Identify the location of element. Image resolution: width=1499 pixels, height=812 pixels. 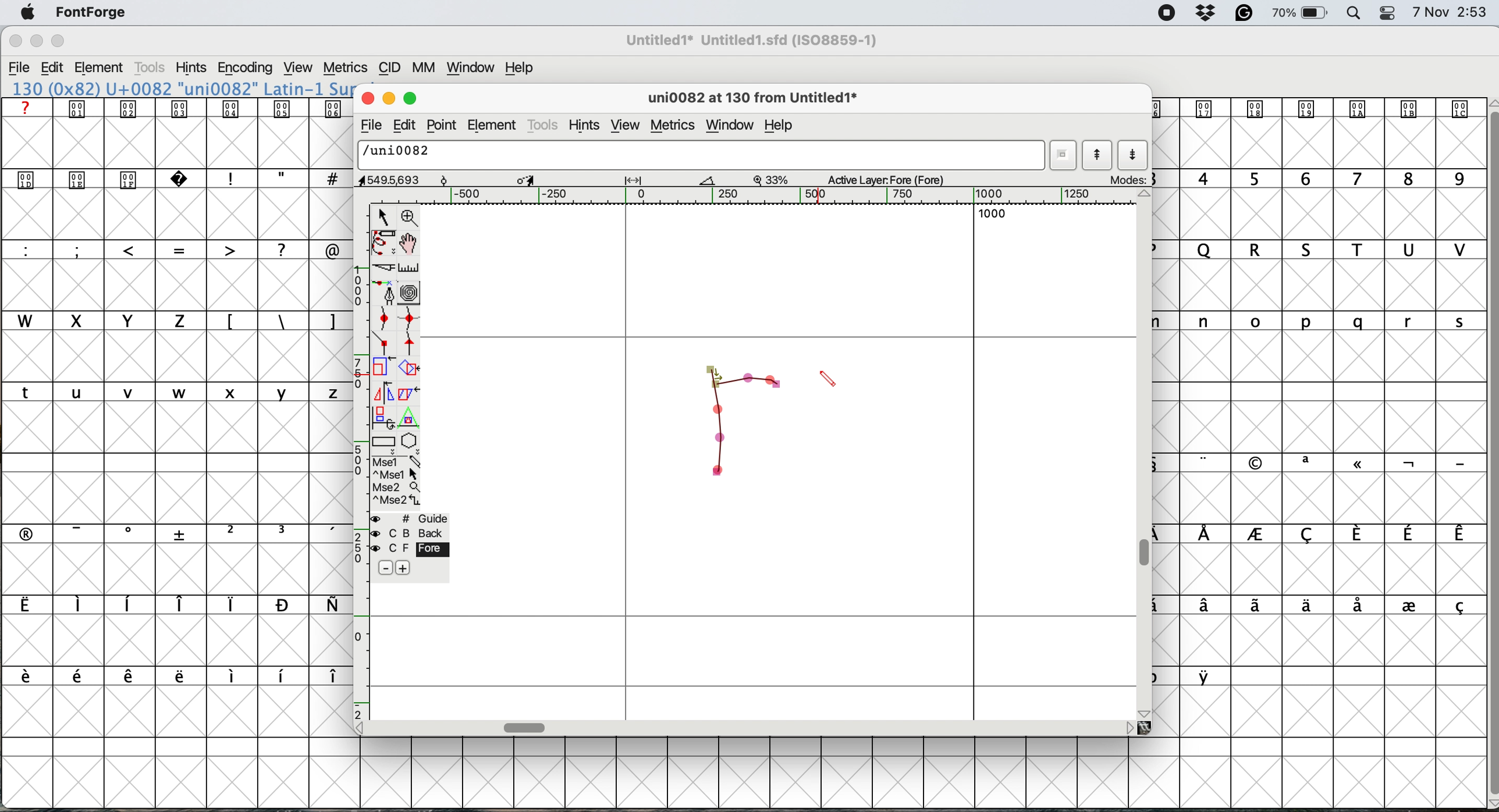
(493, 126).